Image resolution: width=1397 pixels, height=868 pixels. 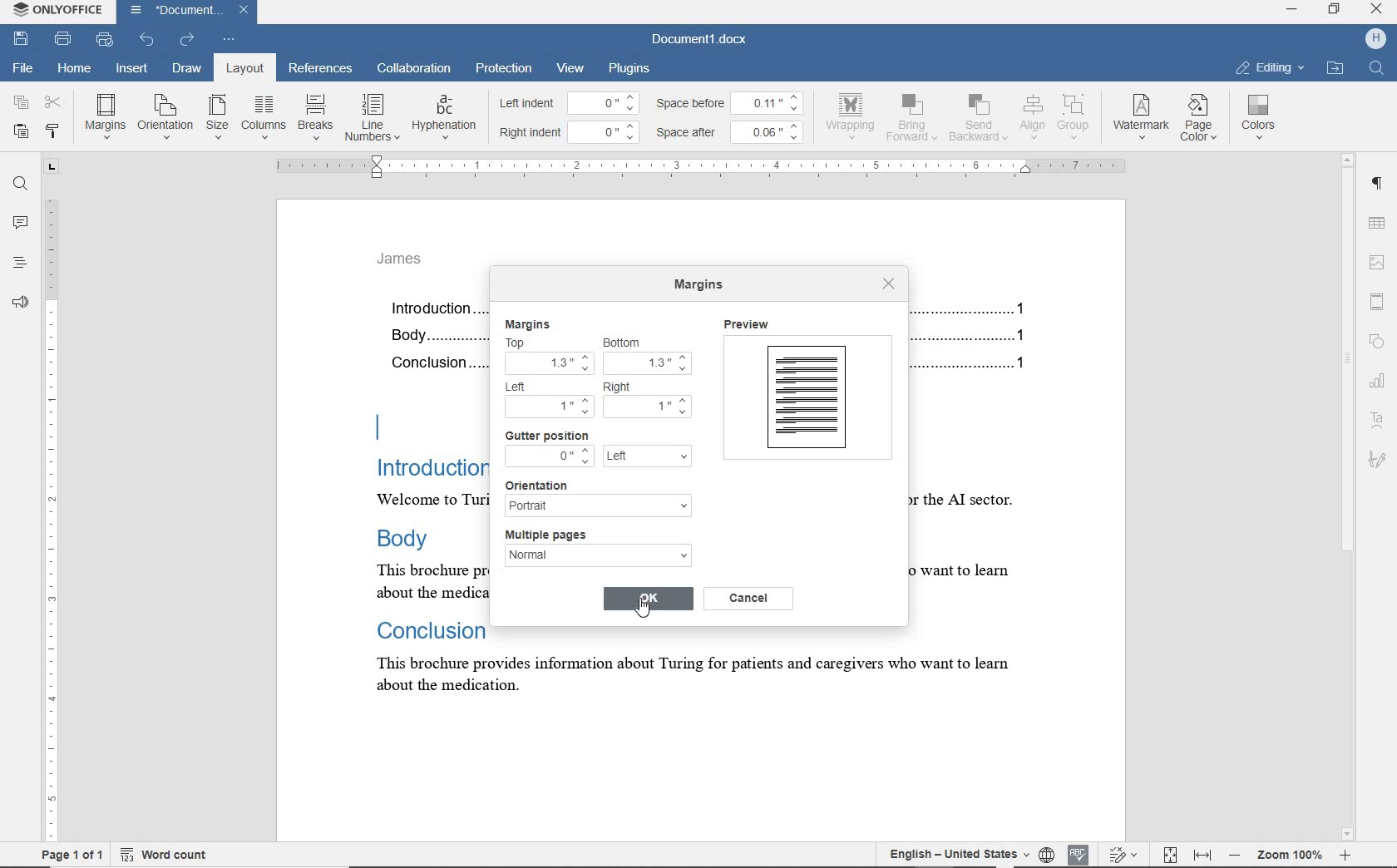 What do you see at coordinates (187, 40) in the screenshot?
I see `redo` at bounding box center [187, 40].